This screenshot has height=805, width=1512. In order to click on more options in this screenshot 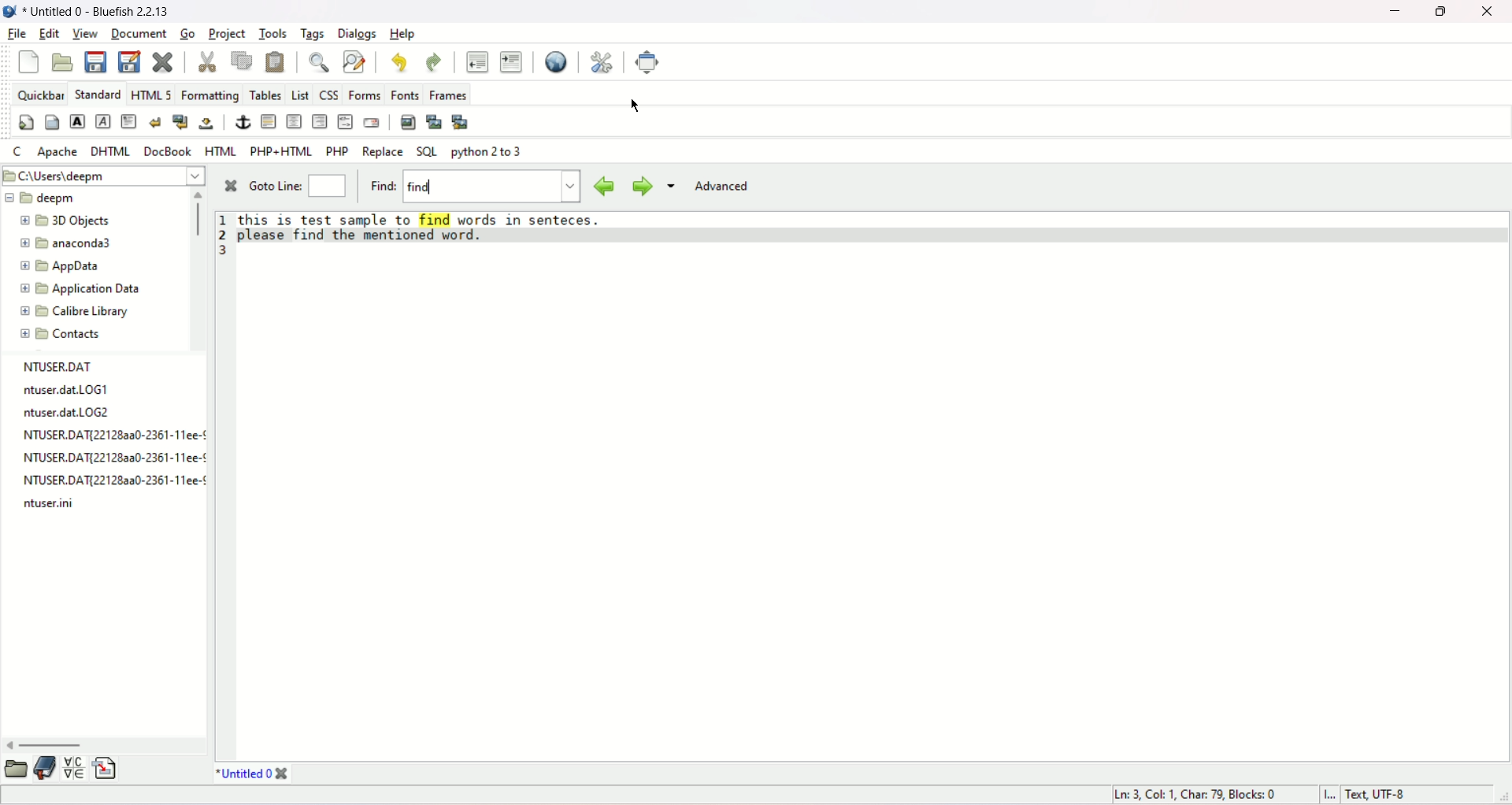, I will do `click(673, 184)`.